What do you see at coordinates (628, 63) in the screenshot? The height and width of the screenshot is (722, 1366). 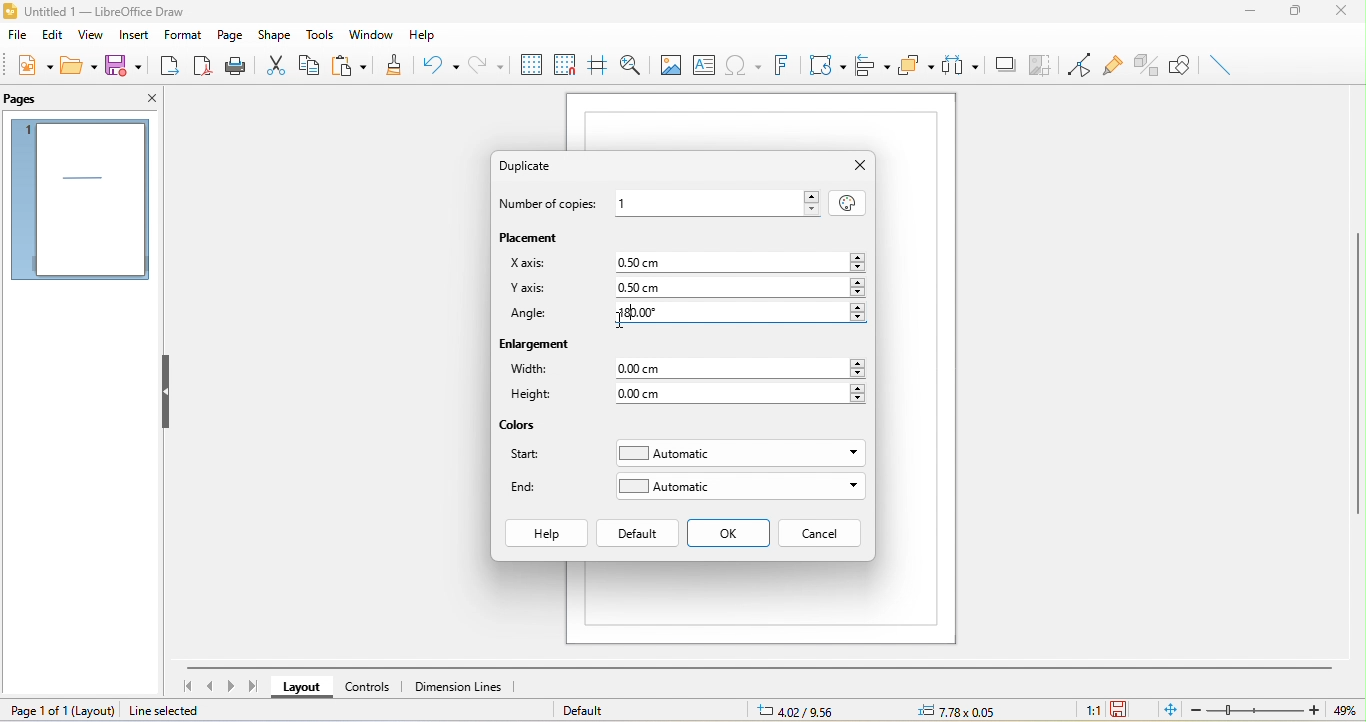 I see `zoom and pan` at bounding box center [628, 63].